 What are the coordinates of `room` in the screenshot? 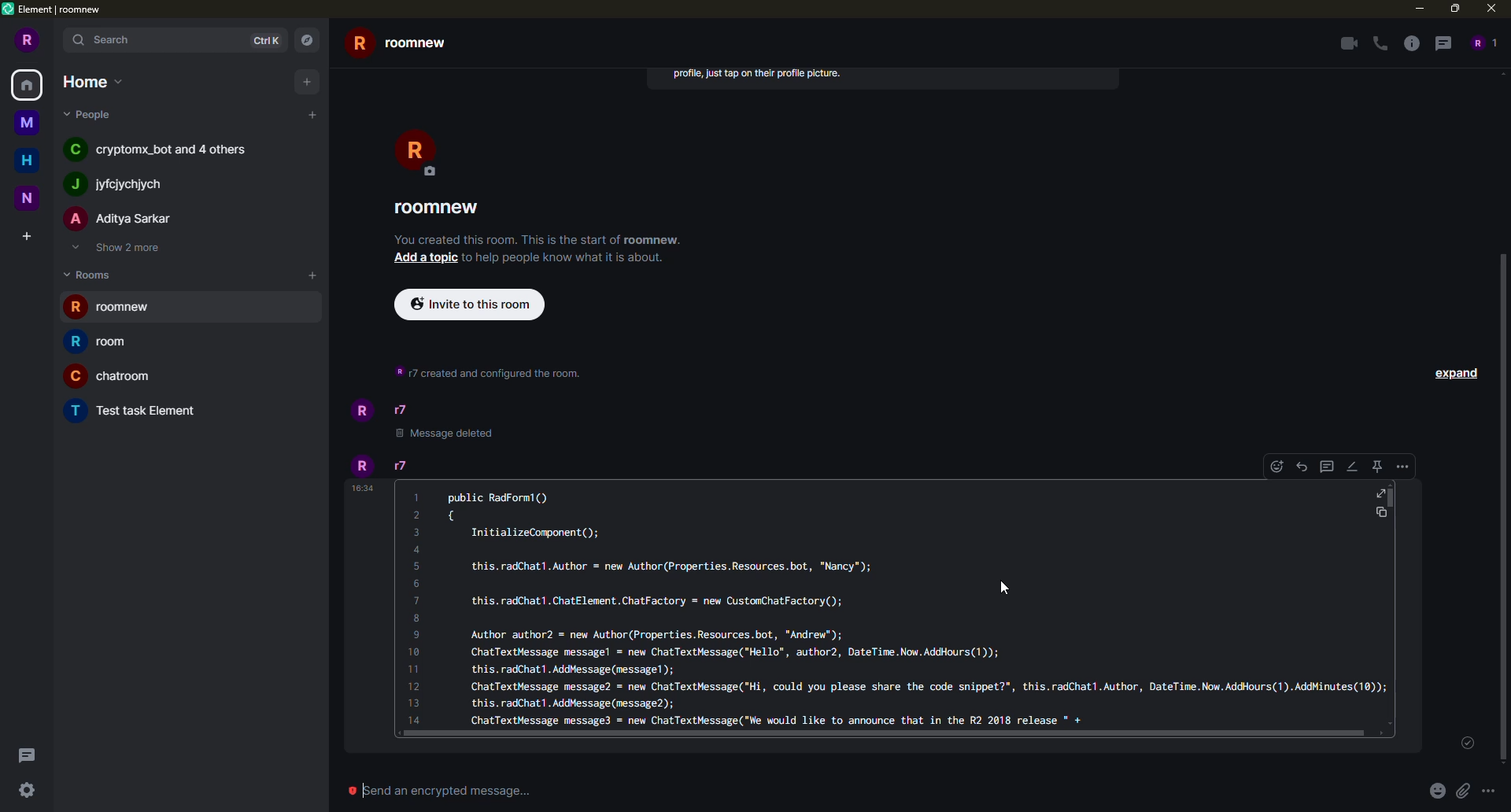 It's located at (408, 44).